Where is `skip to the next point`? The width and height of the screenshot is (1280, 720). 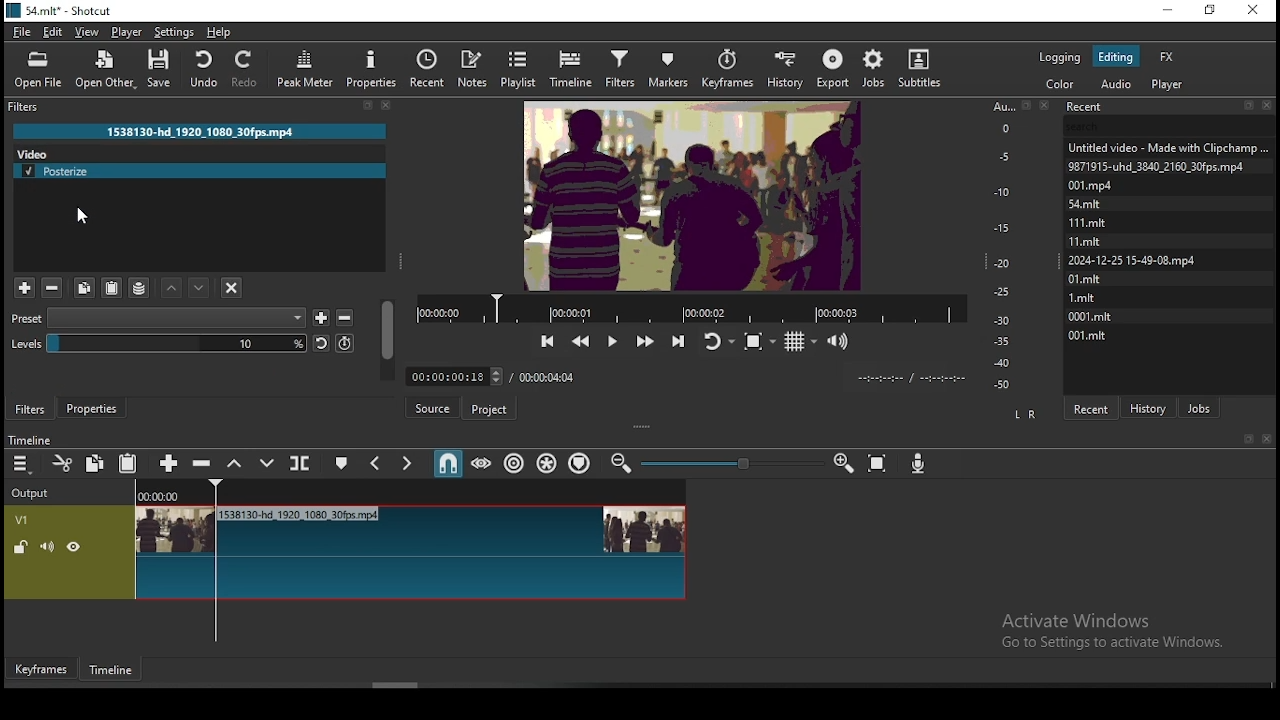
skip to the next point is located at coordinates (677, 341).